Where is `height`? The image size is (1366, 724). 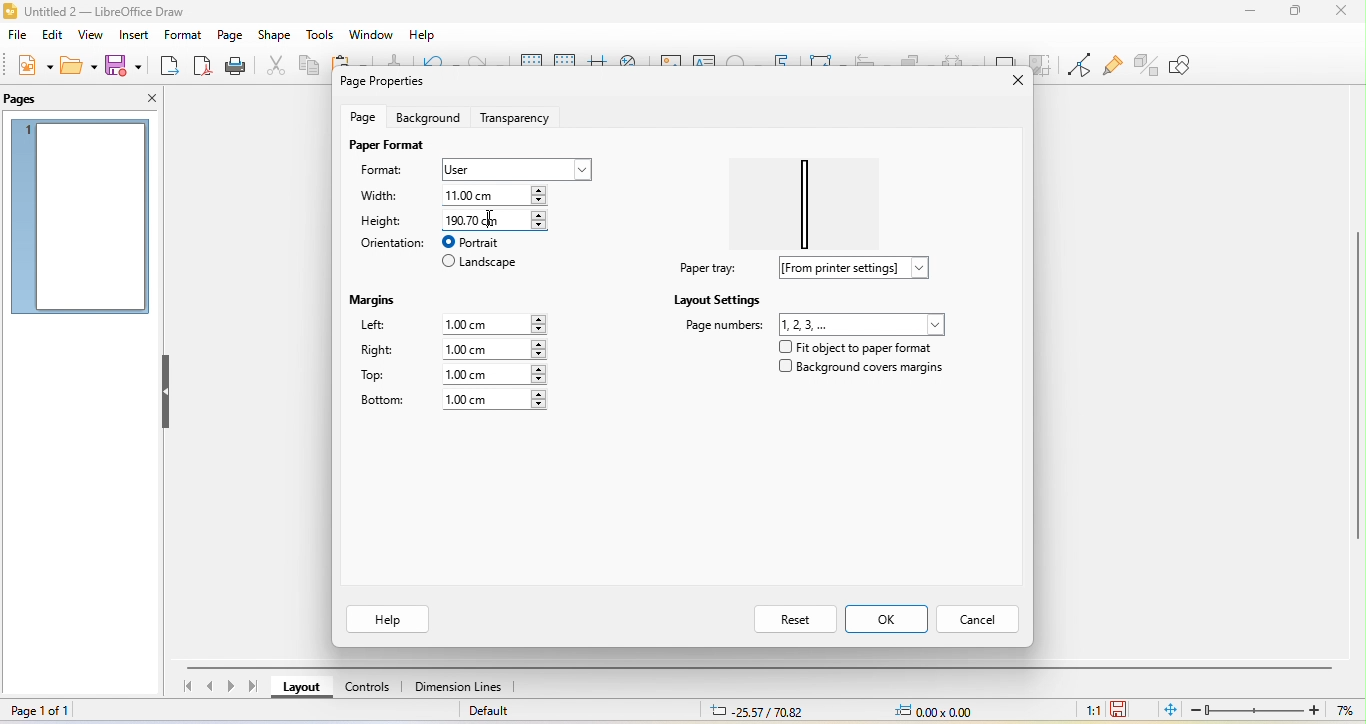
height is located at coordinates (383, 220).